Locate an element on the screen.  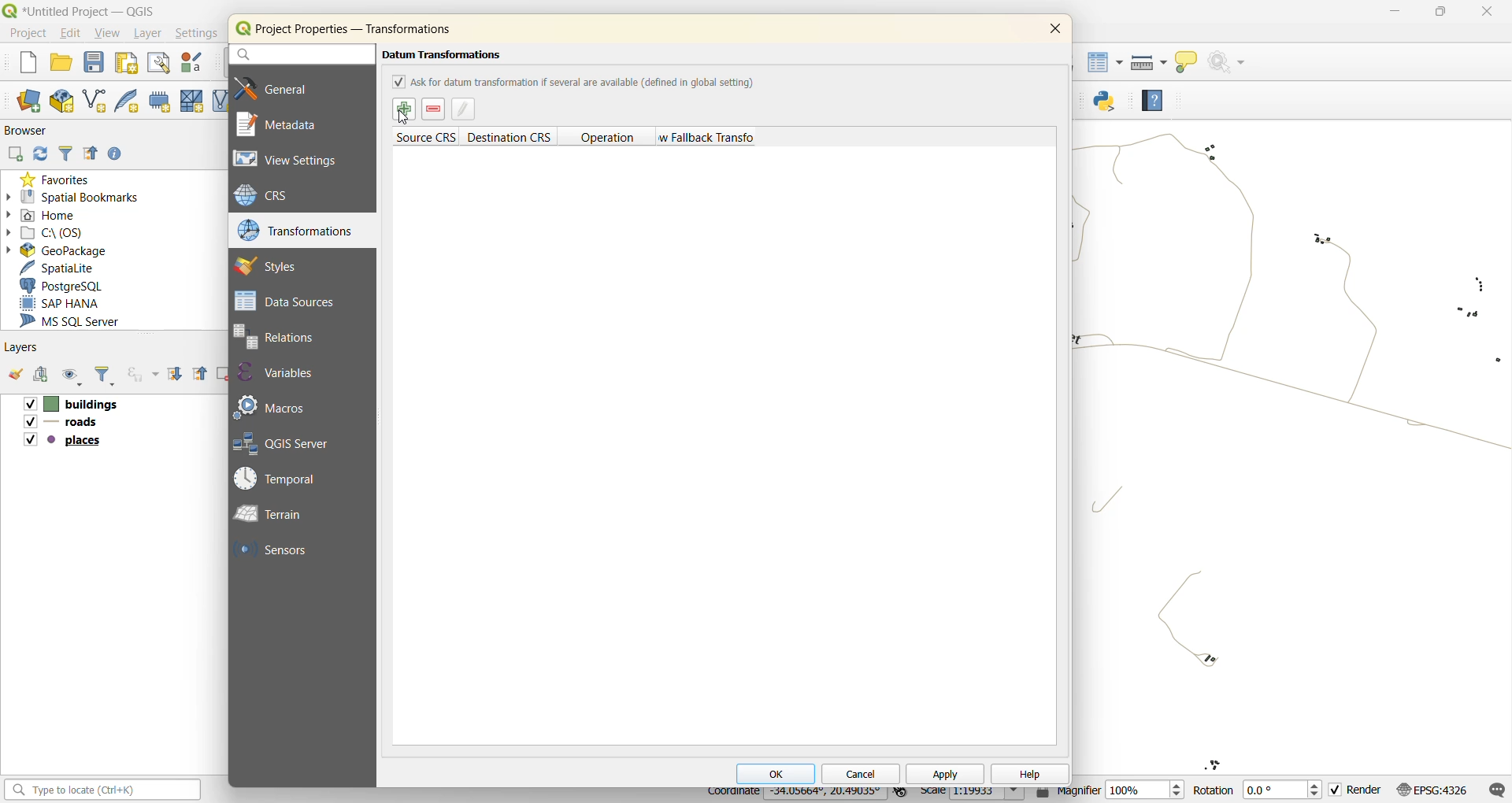
postgresql is located at coordinates (66, 287).